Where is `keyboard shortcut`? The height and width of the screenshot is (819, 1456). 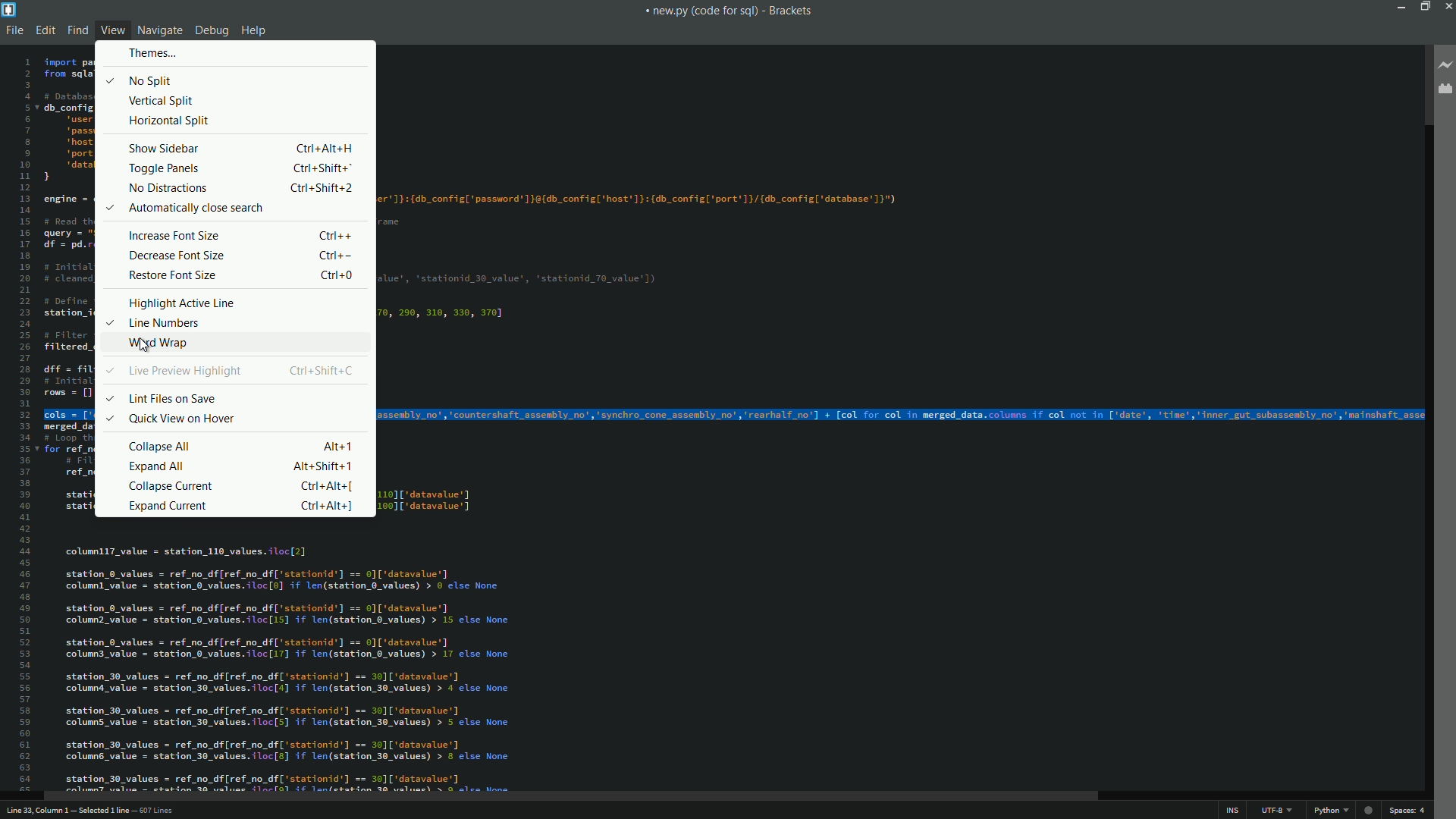 keyboard shortcut is located at coordinates (325, 466).